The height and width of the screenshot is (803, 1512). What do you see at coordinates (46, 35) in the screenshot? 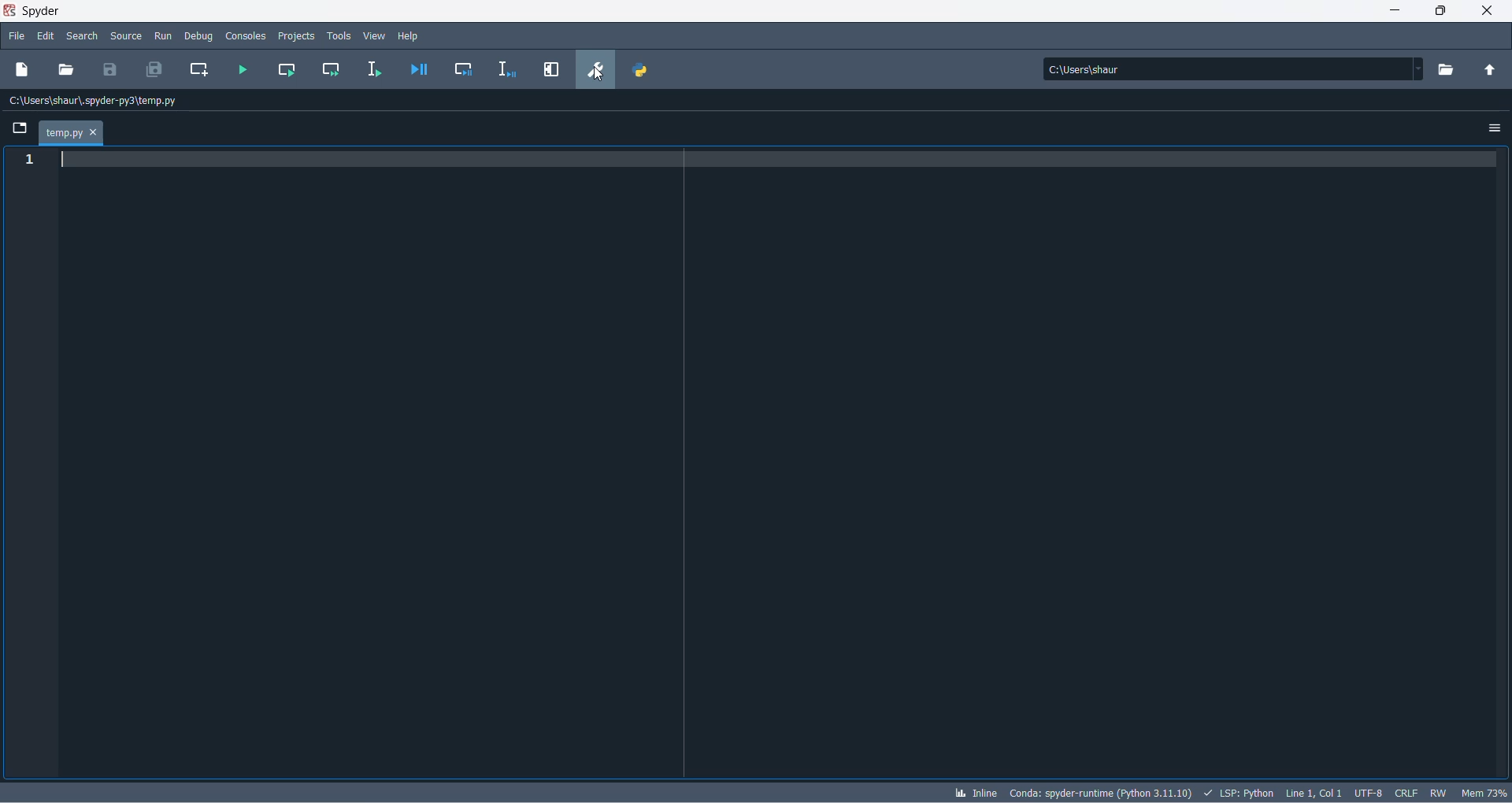
I see `edit` at bounding box center [46, 35].